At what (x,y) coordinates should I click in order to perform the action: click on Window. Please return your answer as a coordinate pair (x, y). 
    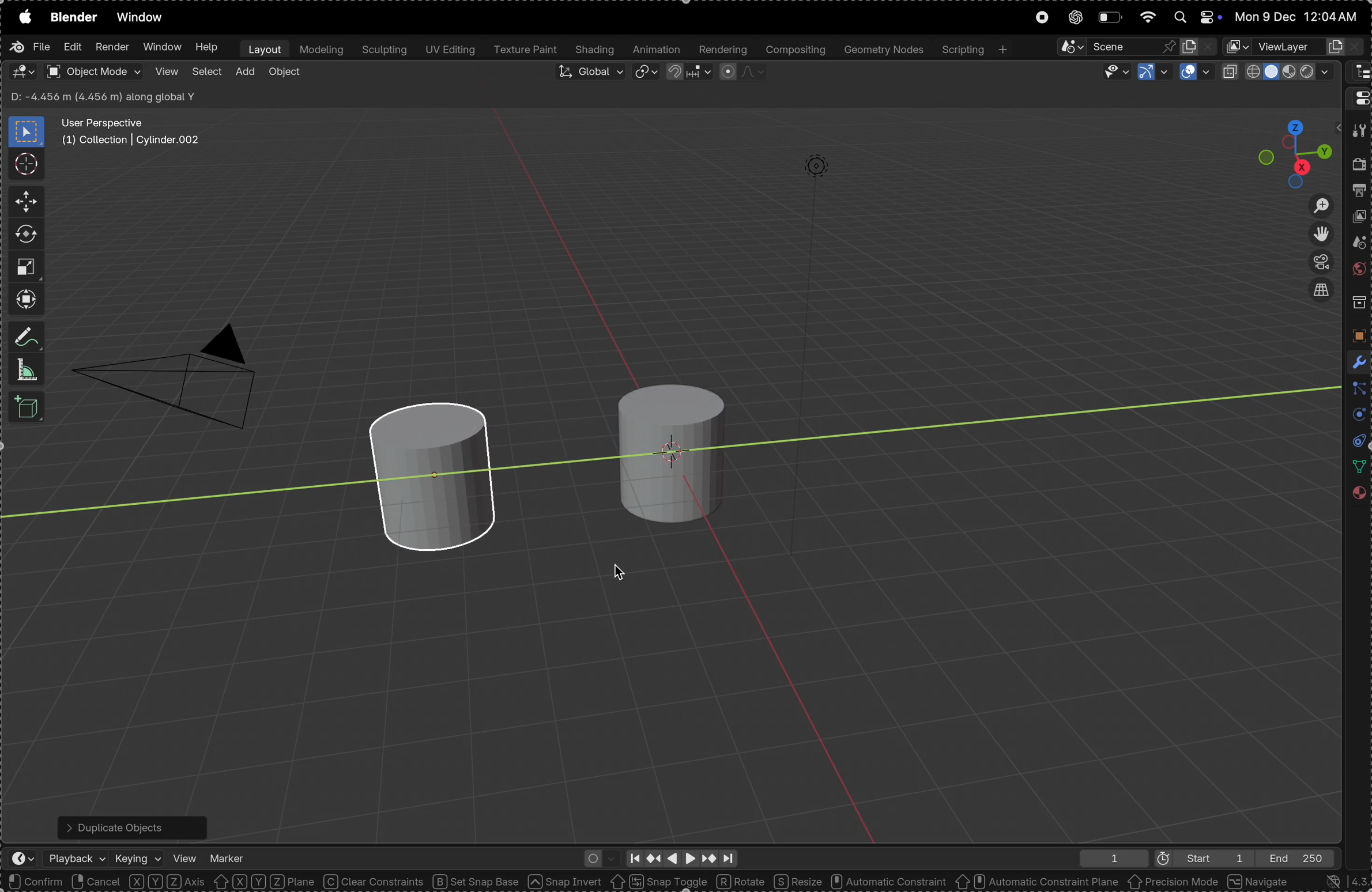
    Looking at the image, I should click on (144, 18).